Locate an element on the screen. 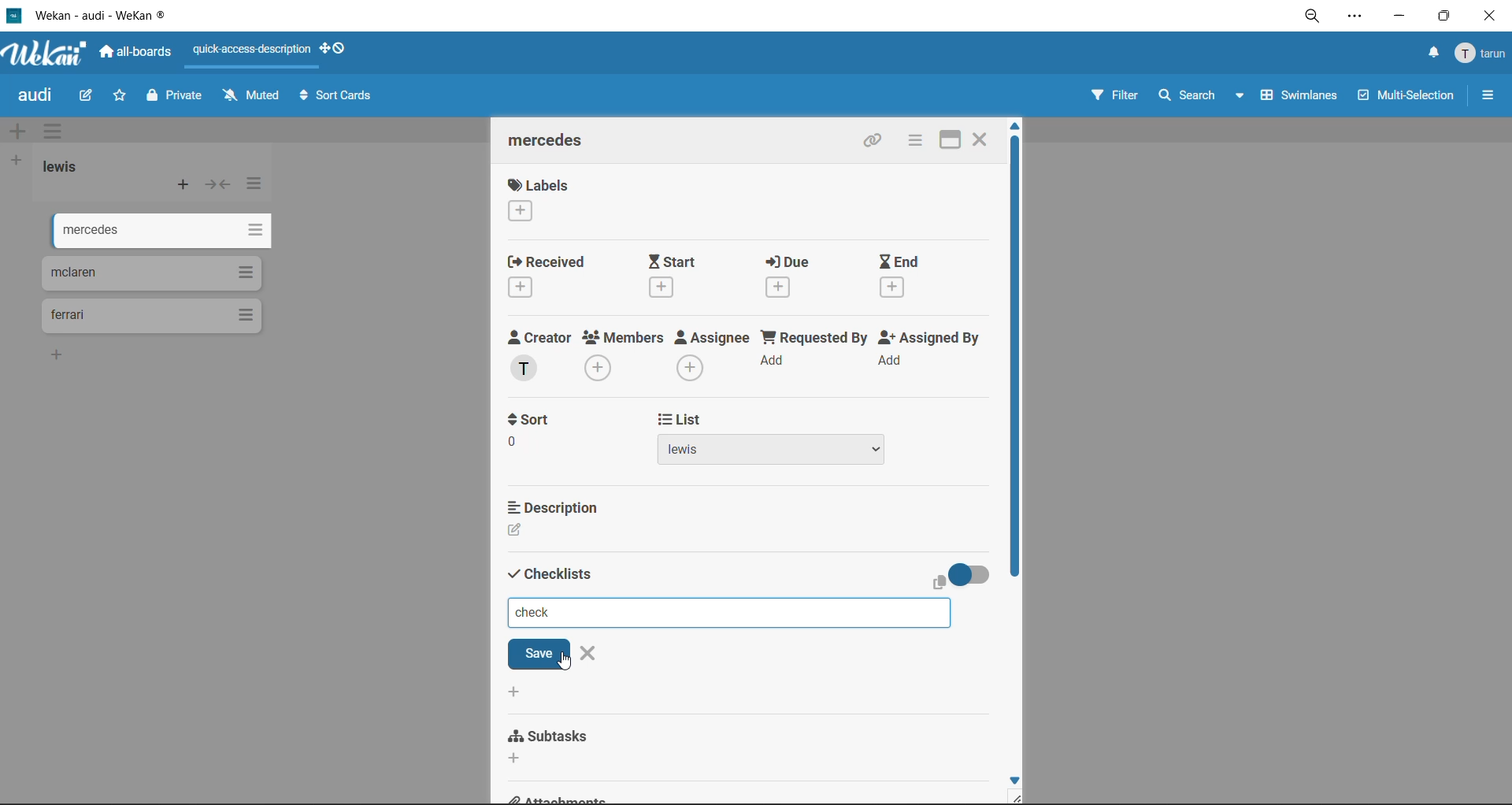  add card is located at coordinates (184, 188).